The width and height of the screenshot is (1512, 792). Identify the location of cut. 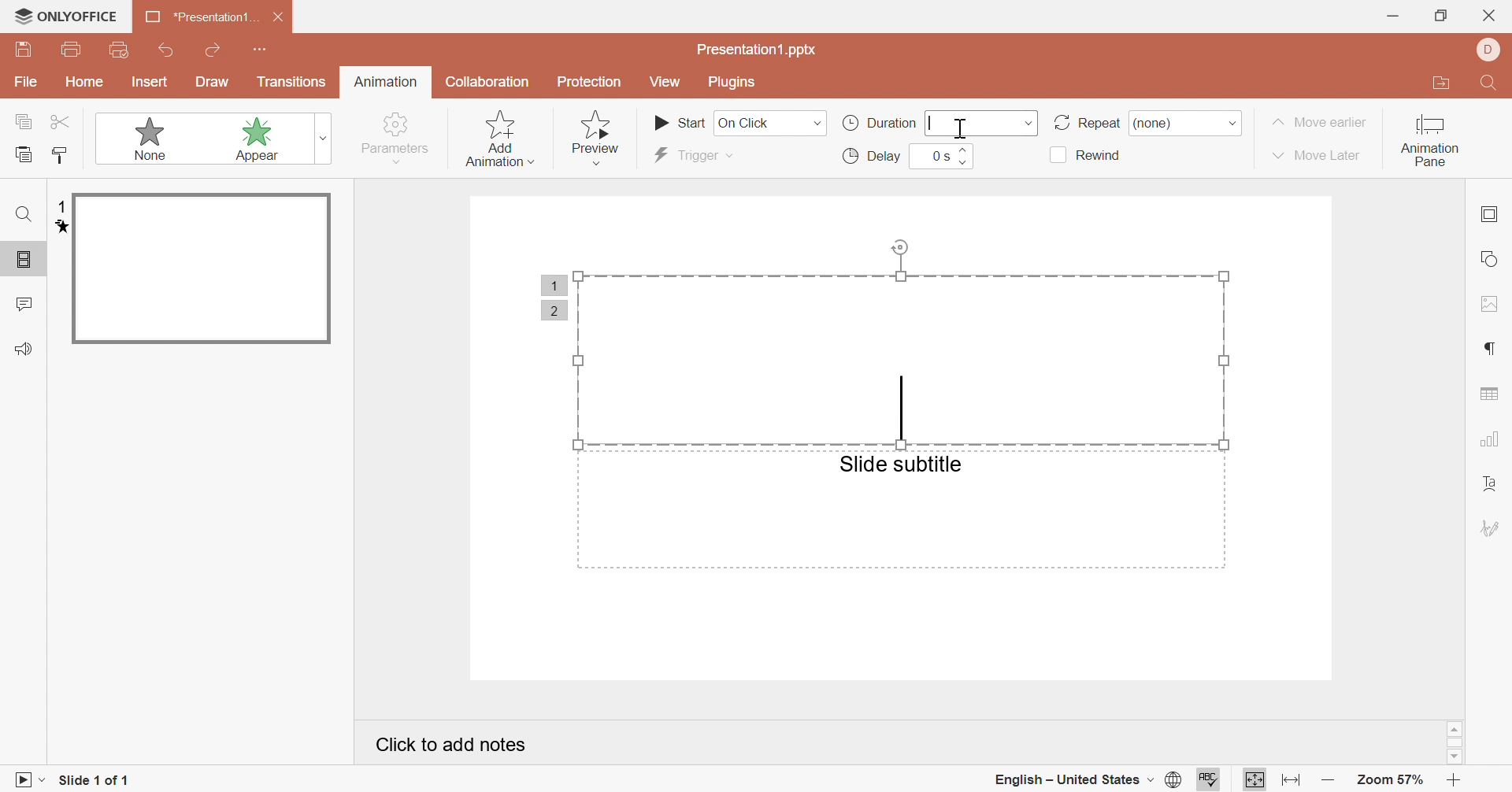
(61, 122).